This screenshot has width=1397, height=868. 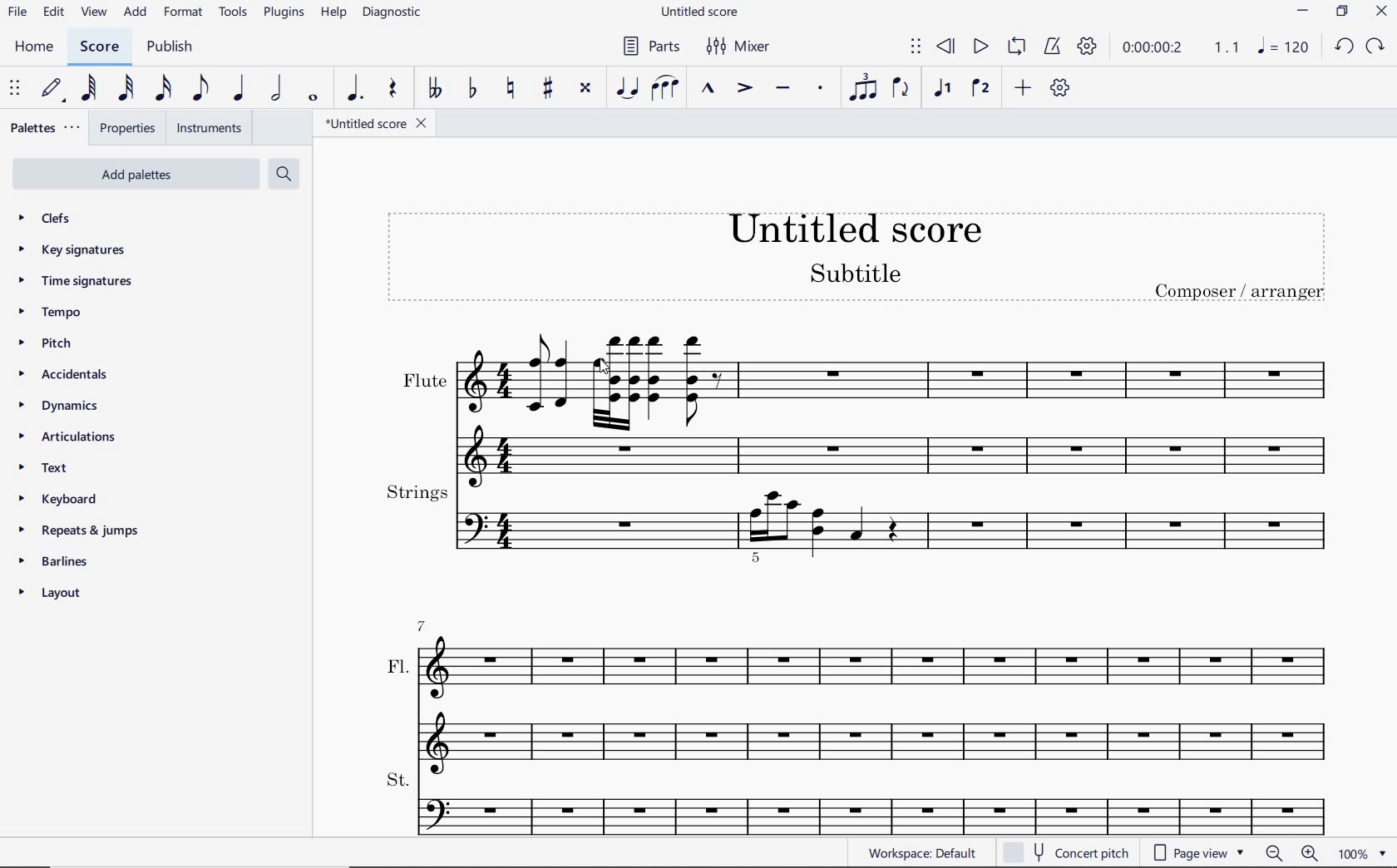 What do you see at coordinates (53, 561) in the screenshot?
I see `barlines` at bounding box center [53, 561].